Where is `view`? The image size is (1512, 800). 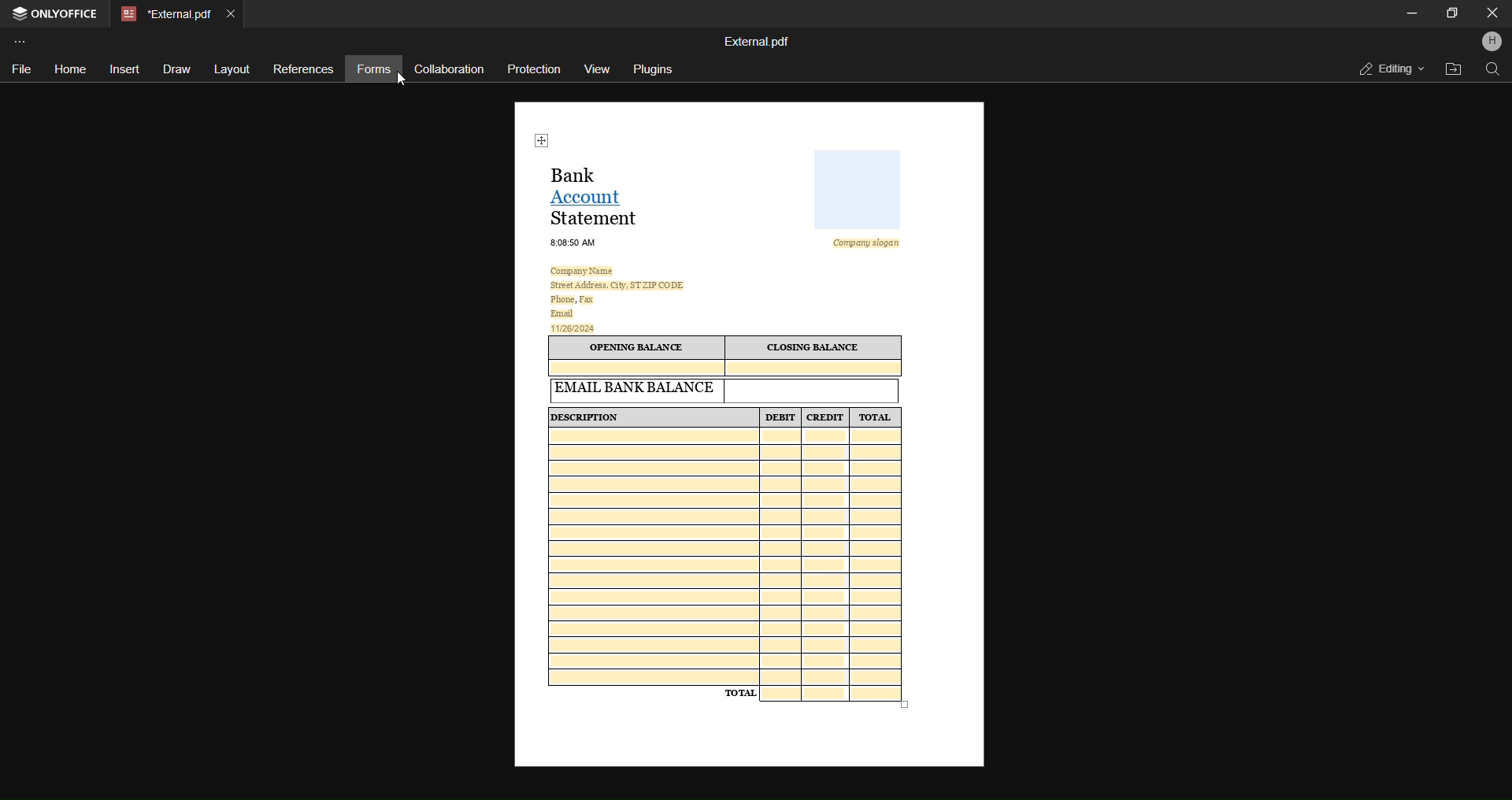
view is located at coordinates (595, 69).